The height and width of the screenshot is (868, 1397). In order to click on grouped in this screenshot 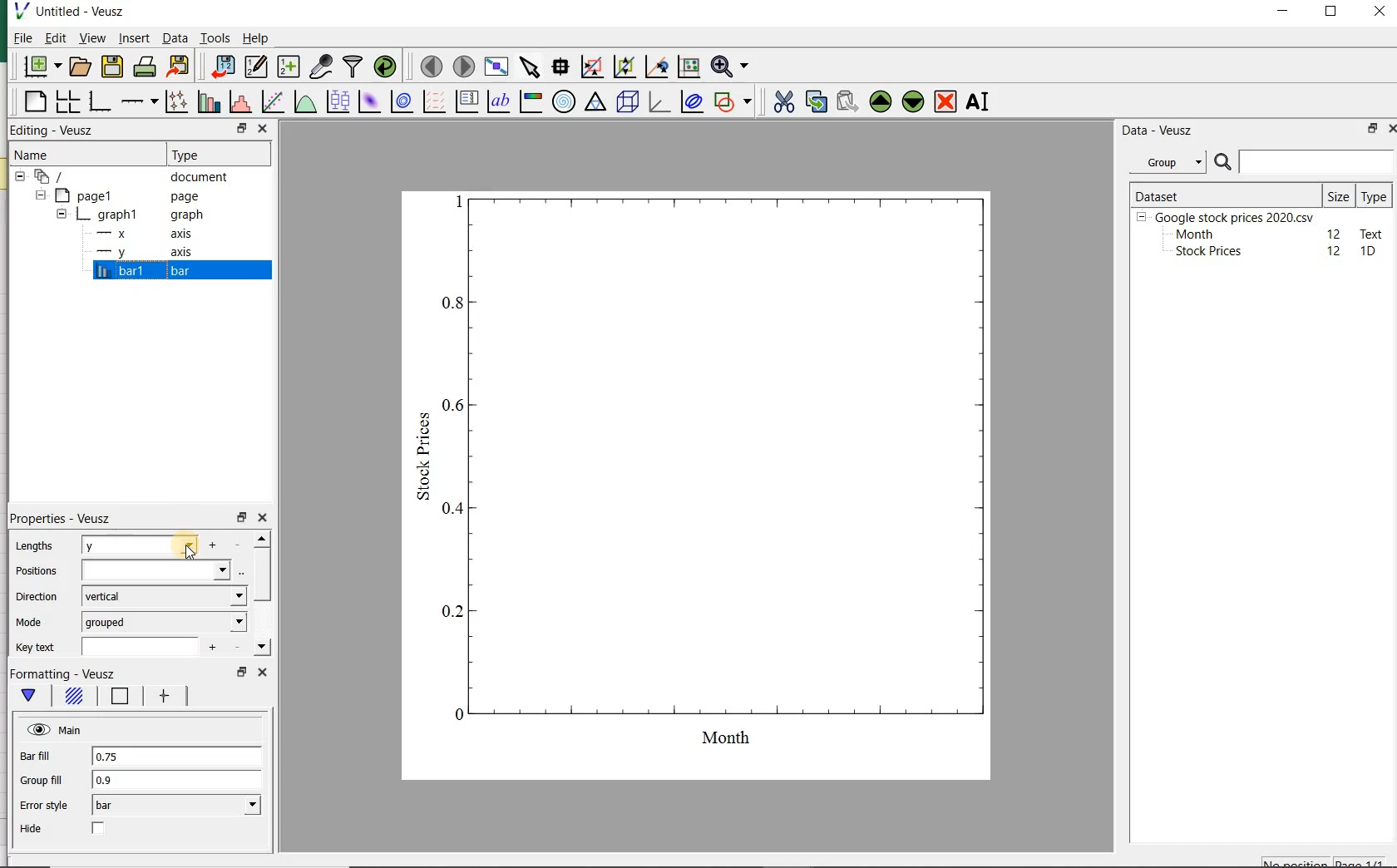, I will do `click(165, 622)`.